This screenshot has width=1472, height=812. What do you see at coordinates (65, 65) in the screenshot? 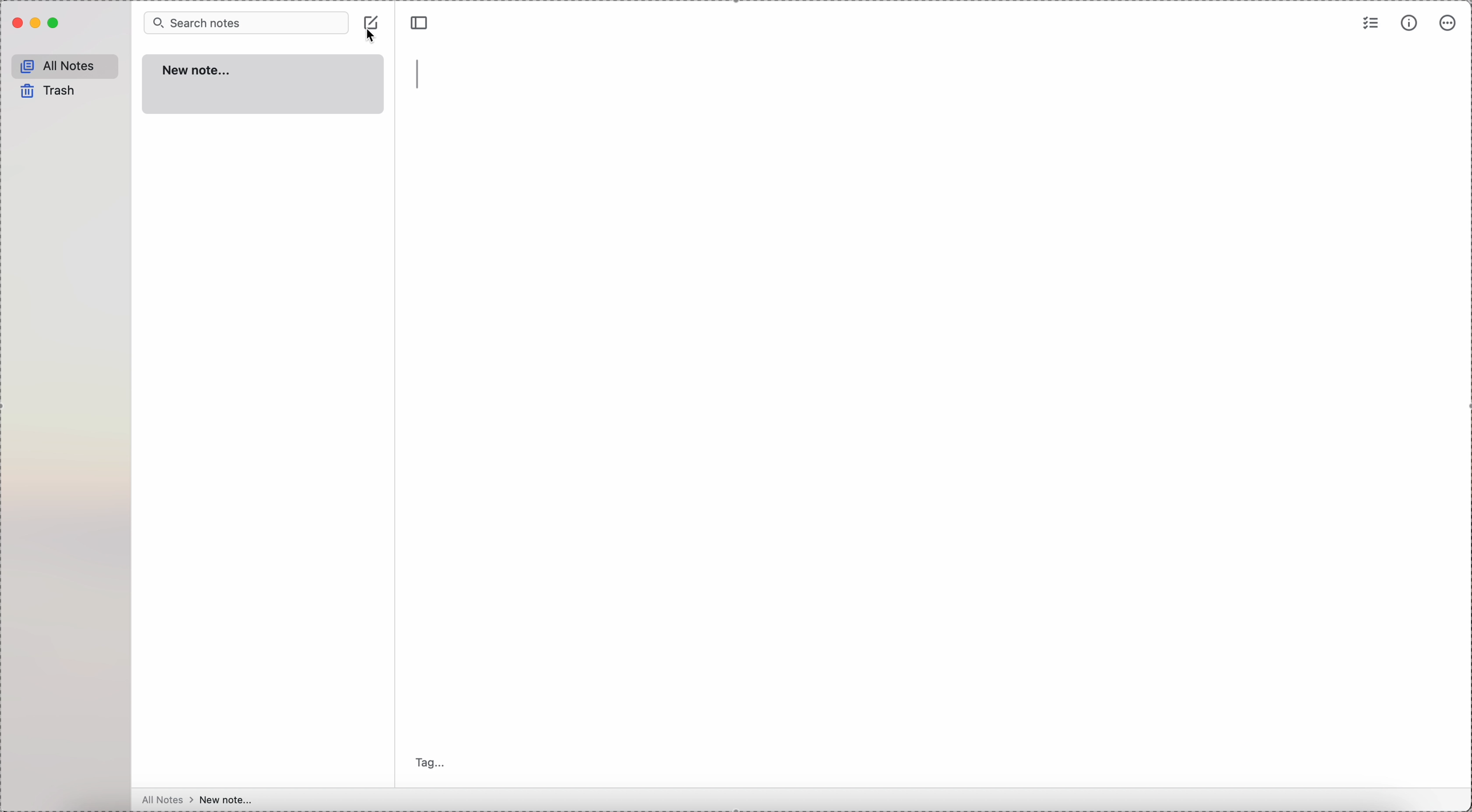
I see `all notes` at bounding box center [65, 65].